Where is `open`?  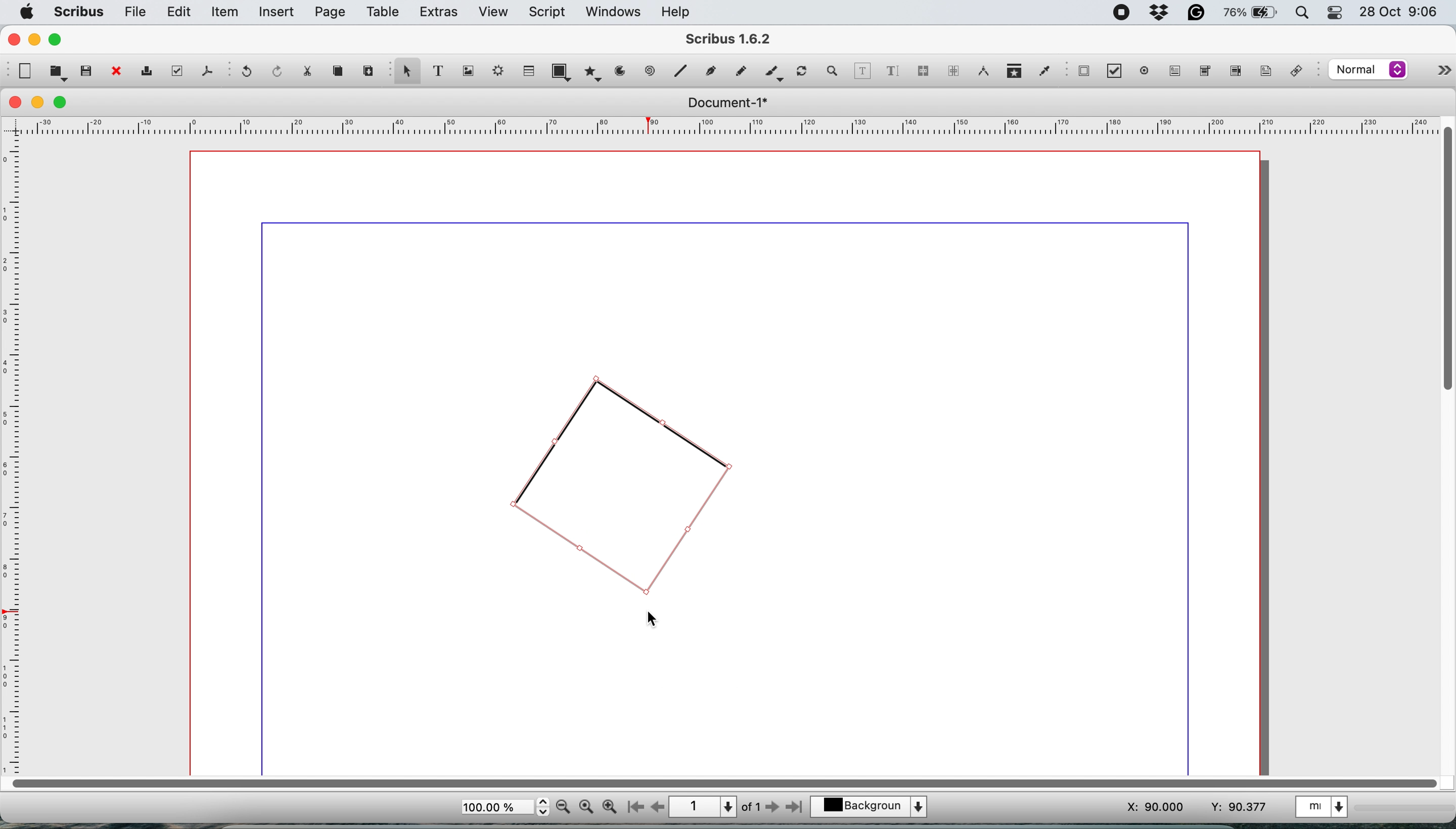 open is located at coordinates (56, 73).